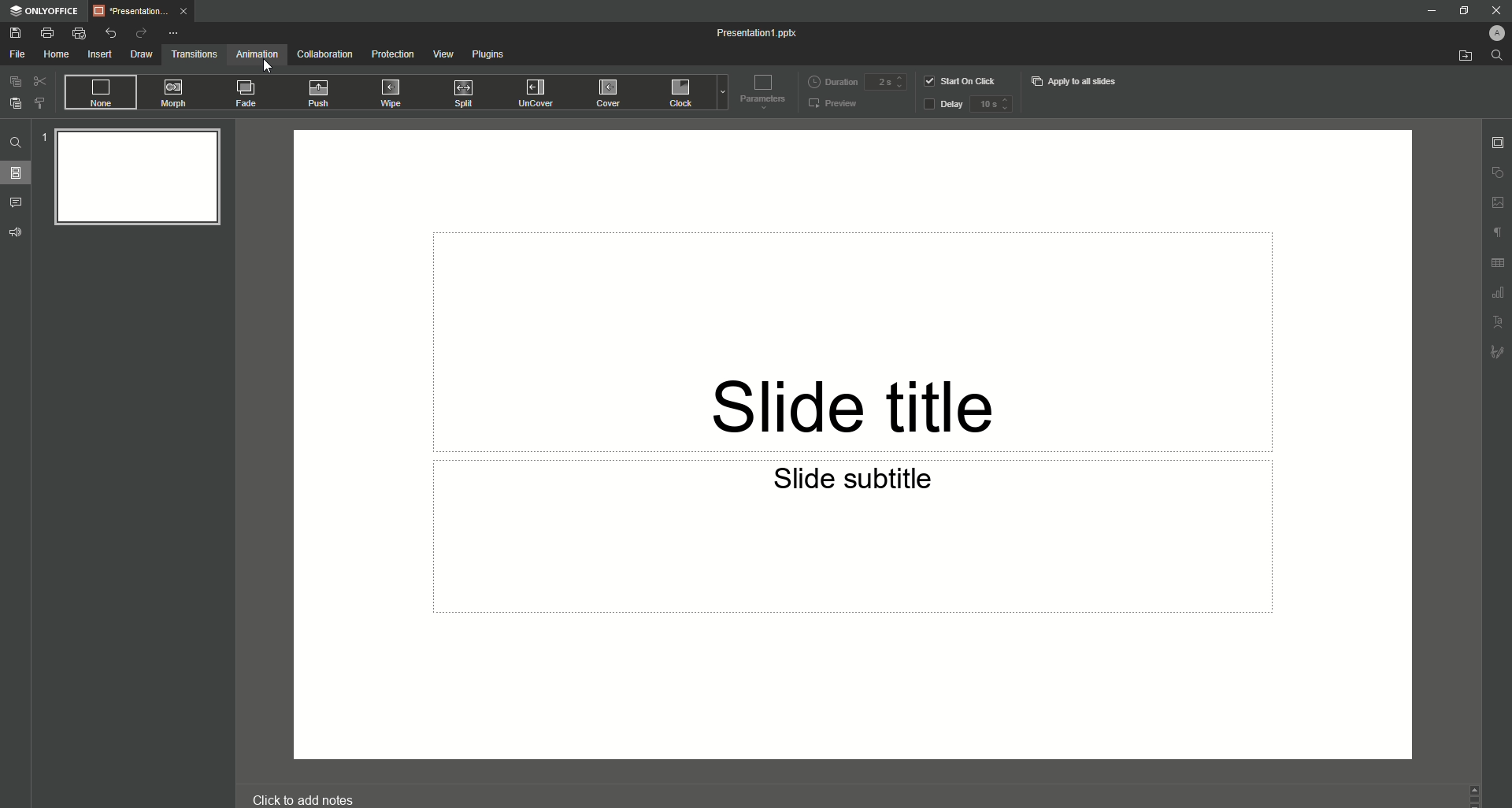  Describe the element at coordinates (678, 93) in the screenshot. I see `Clock` at that location.